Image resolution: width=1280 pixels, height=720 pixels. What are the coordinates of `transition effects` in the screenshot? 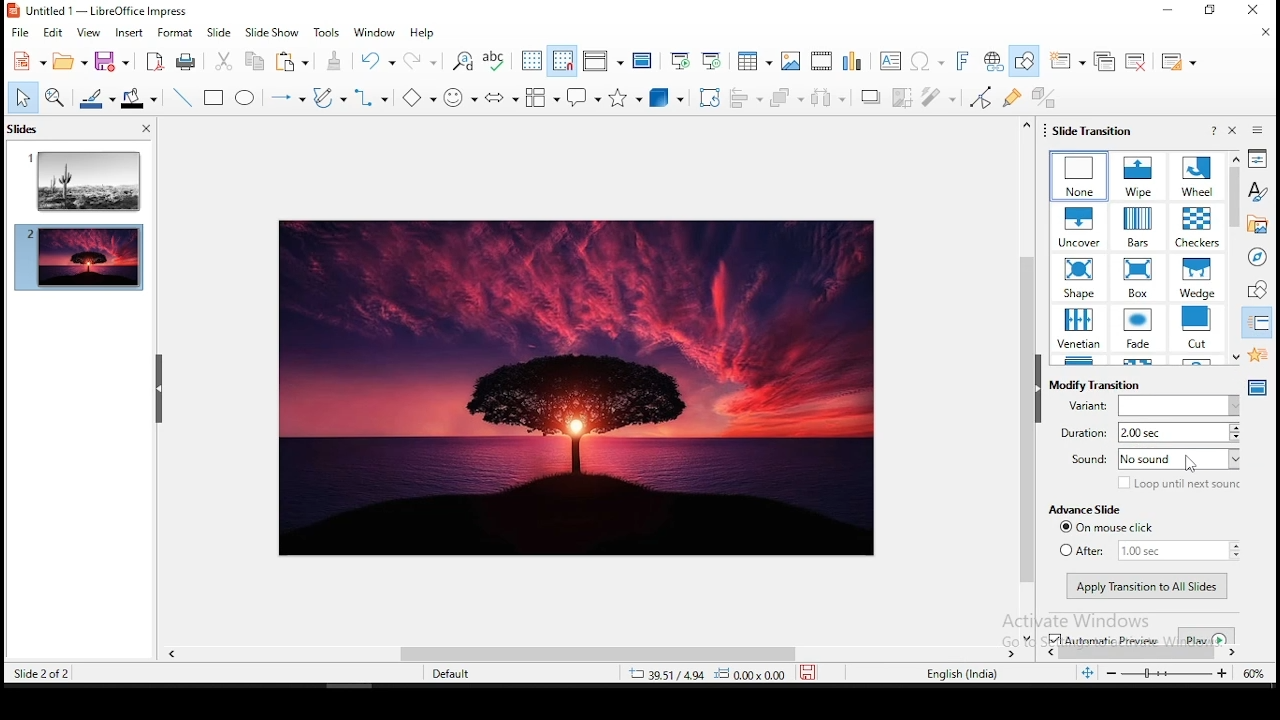 It's located at (1135, 226).